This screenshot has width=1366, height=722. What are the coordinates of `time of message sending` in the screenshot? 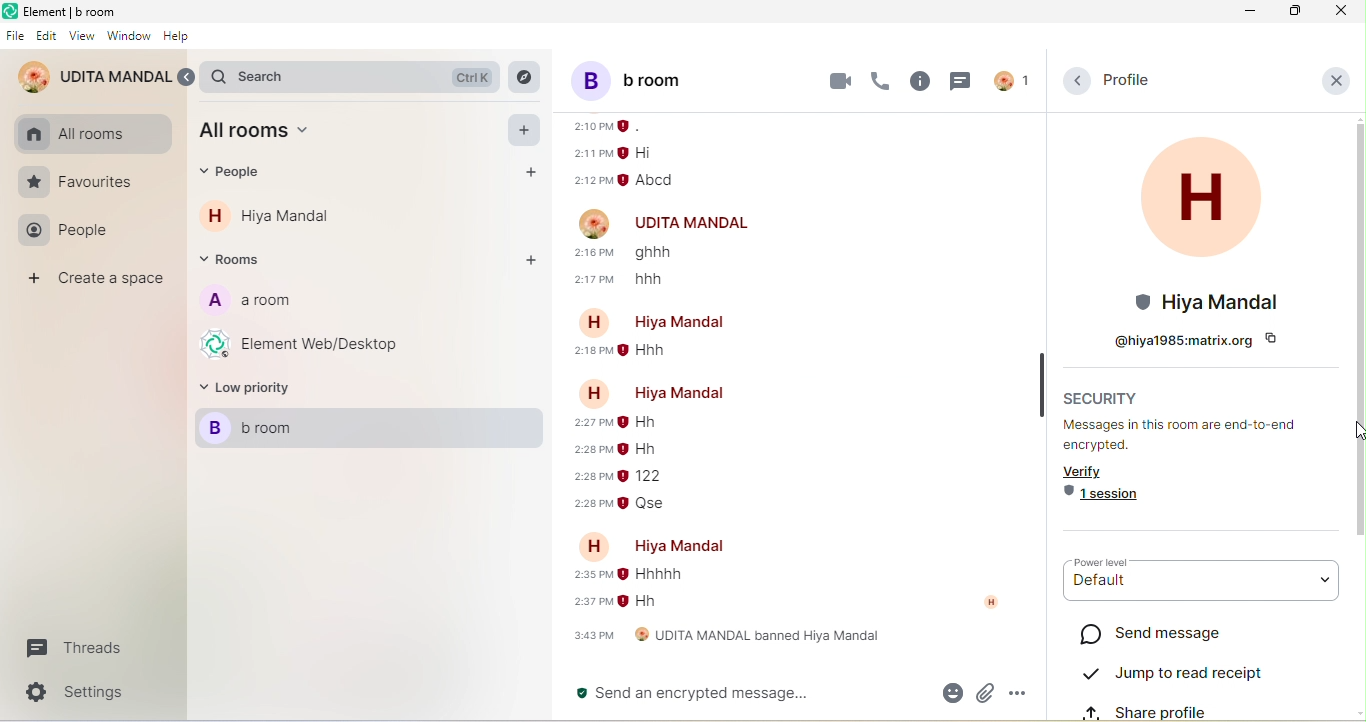 It's located at (593, 180).